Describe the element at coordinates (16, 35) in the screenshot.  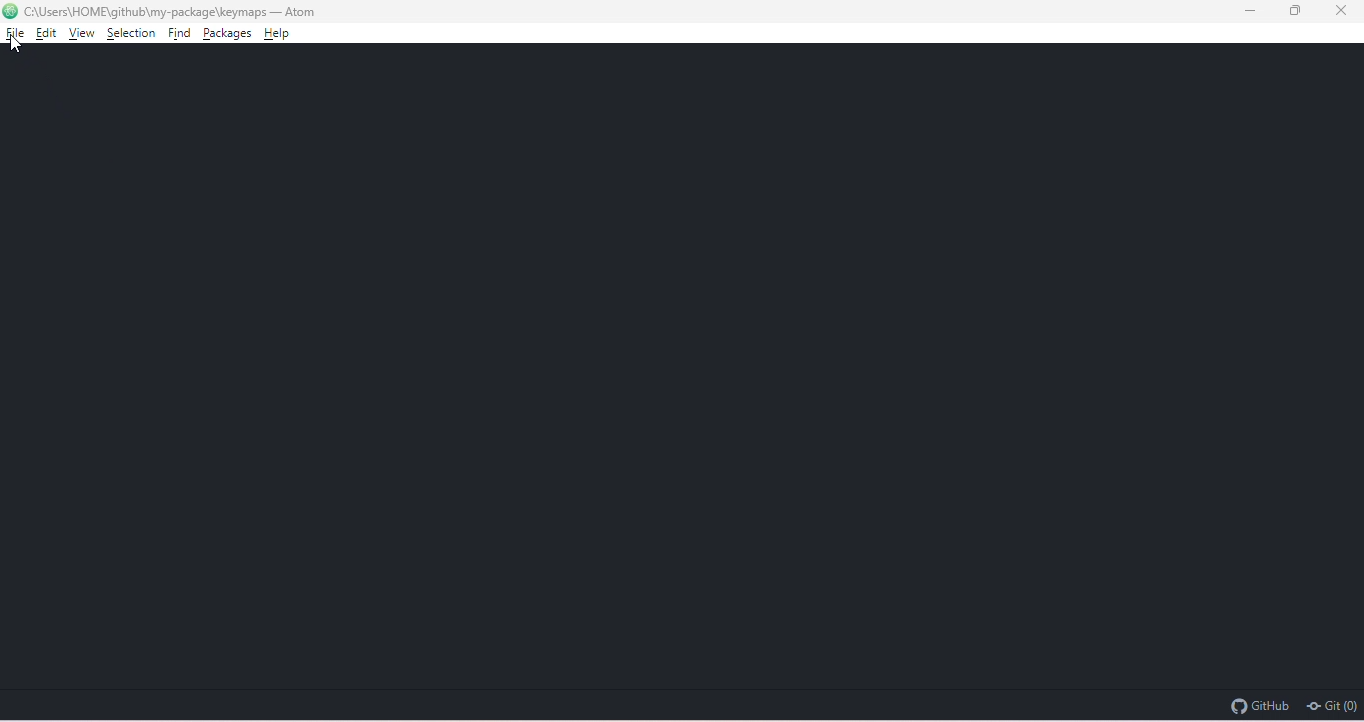
I see `file` at that location.